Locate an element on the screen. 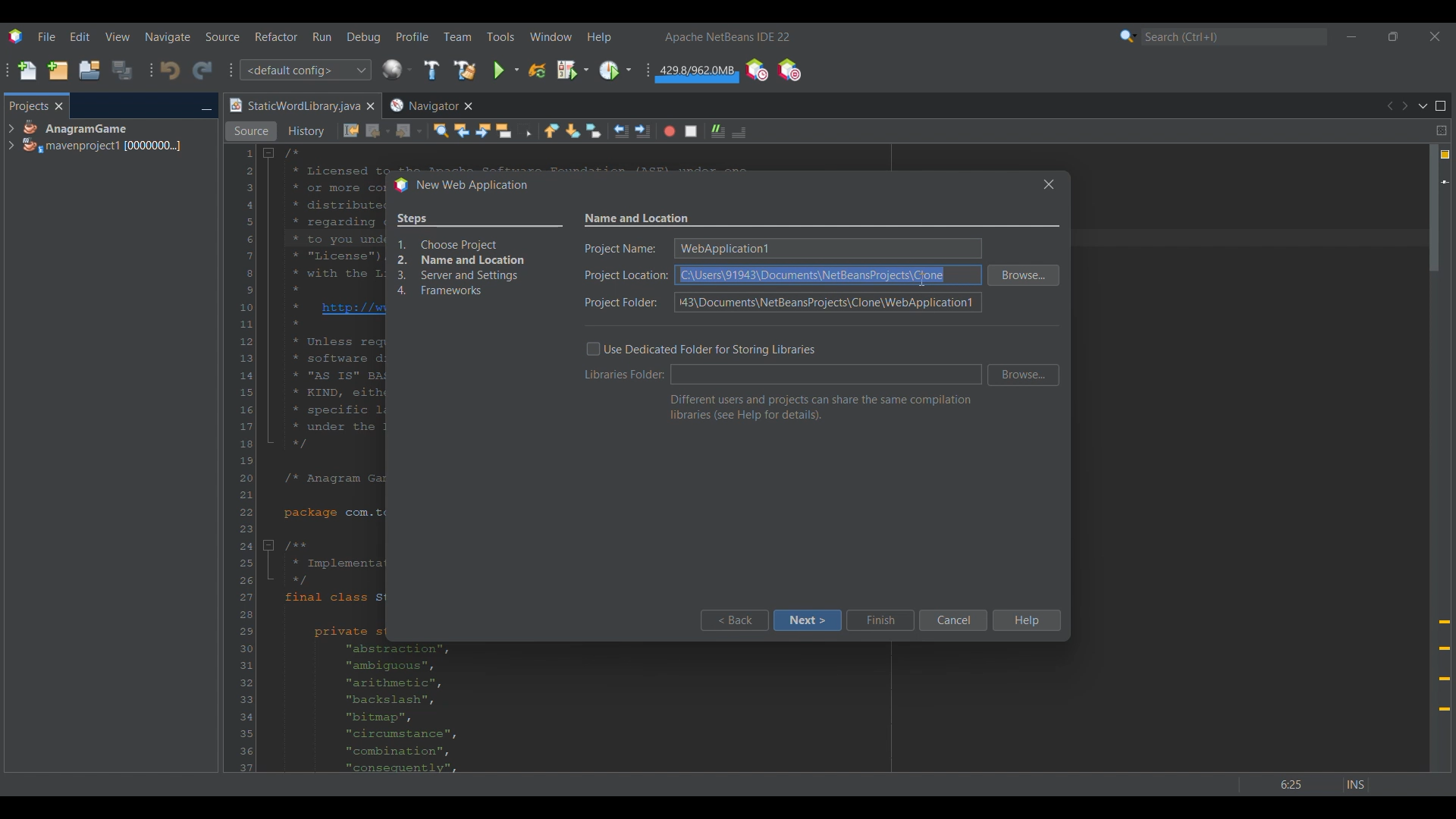 This screenshot has height=819, width=1456. Section description is located at coordinates (821, 407).